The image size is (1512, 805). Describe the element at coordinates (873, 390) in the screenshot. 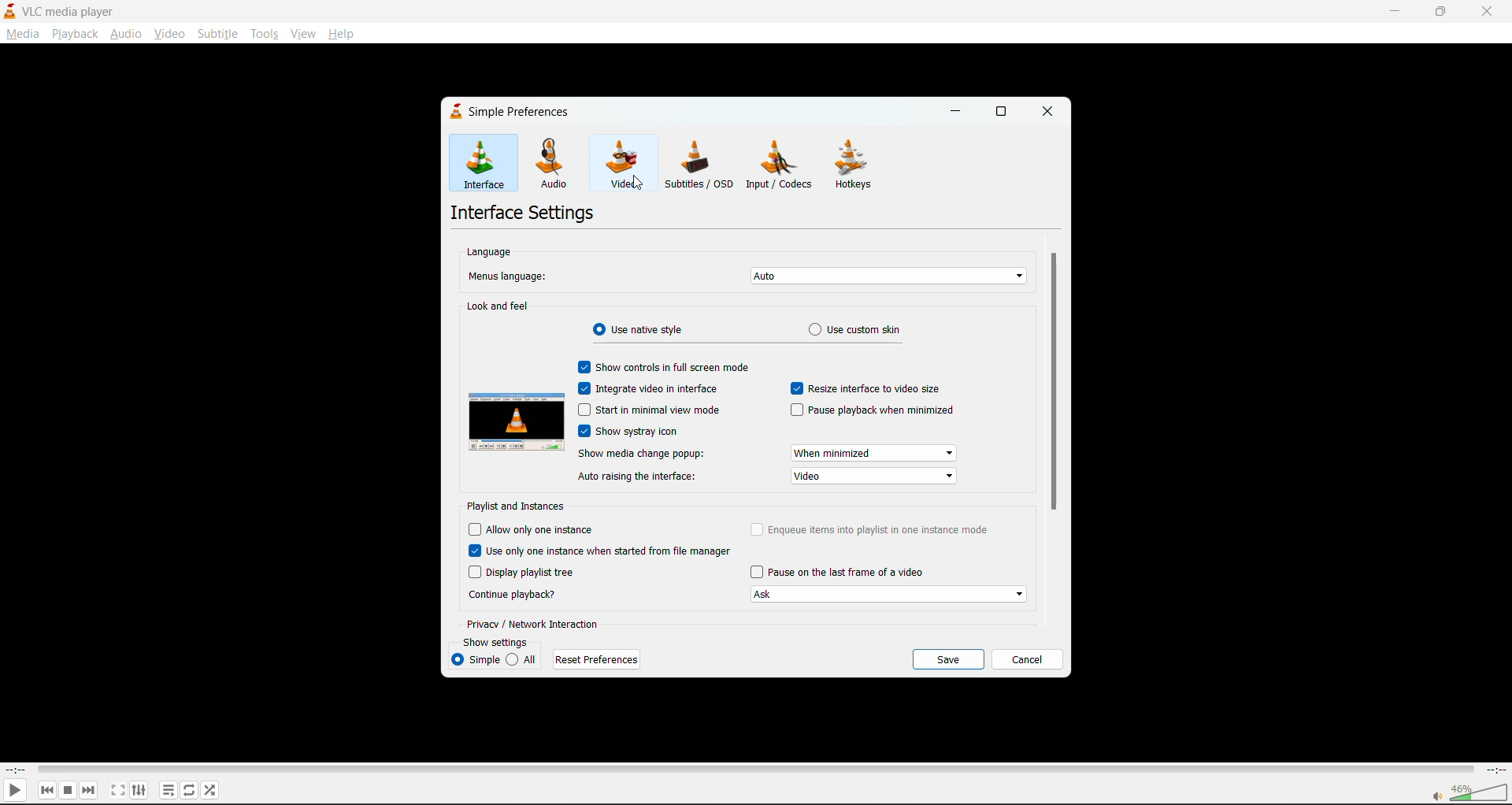

I see `resize interface to video size` at that location.